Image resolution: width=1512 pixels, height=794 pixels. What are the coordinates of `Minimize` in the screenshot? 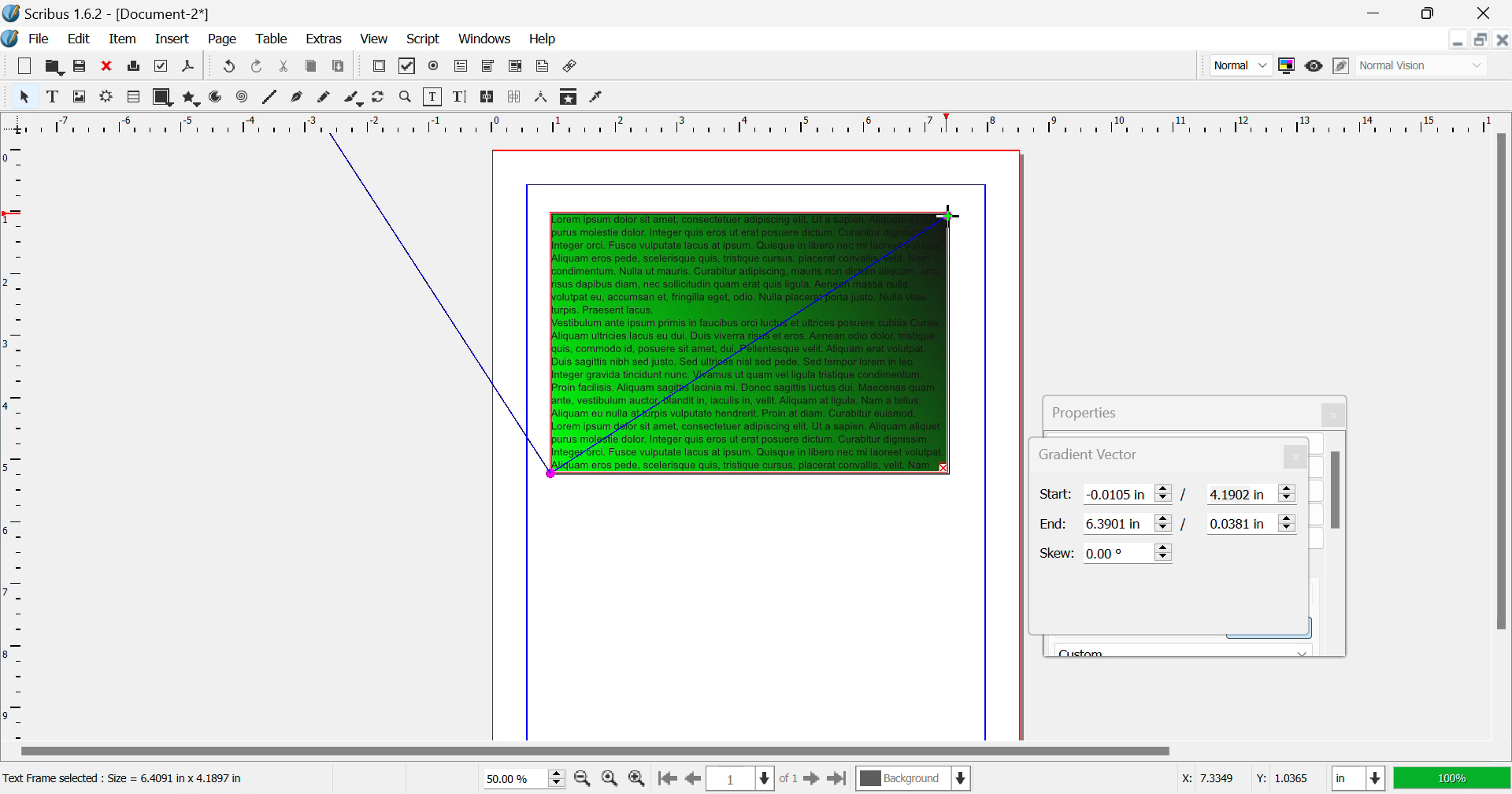 It's located at (1432, 13).